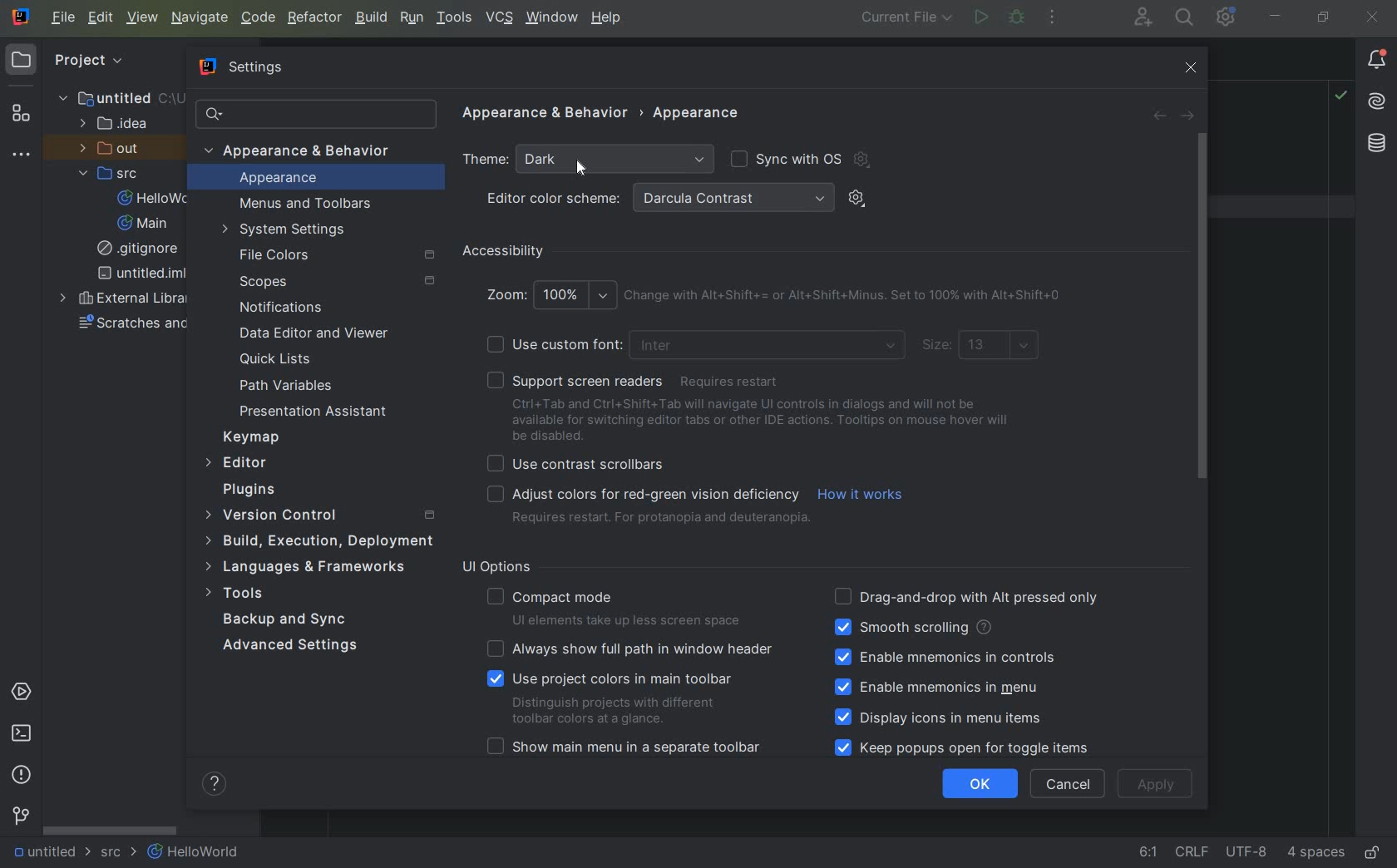 The height and width of the screenshot is (868, 1397). Describe the element at coordinates (1376, 850) in the screenshot. I see `edit or read only mode` at that location.